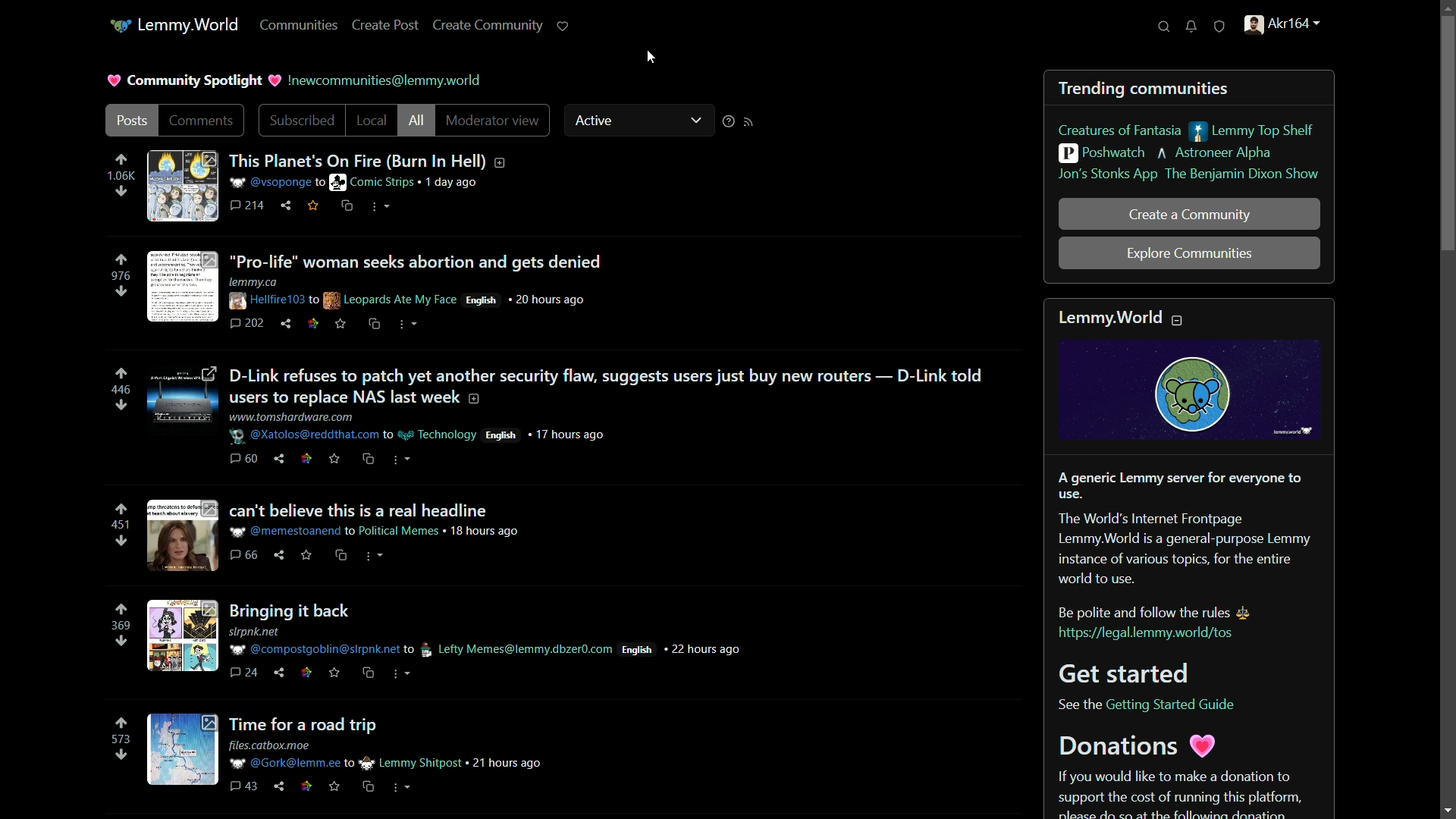  What do you see at coordinates (120, 525) in the screenshot?
I see `number of votes` at bounding box center [120, 525].